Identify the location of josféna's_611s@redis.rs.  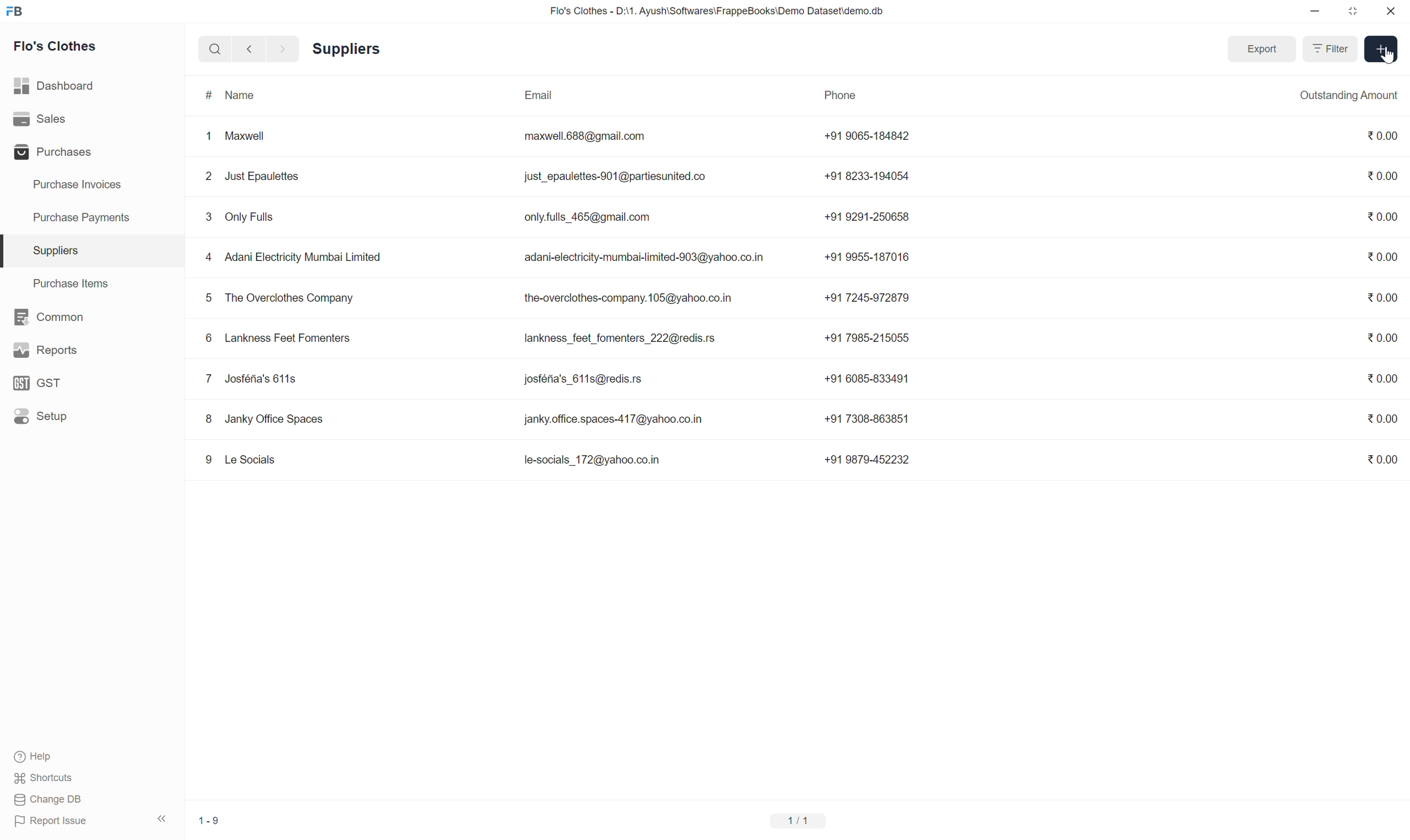
(582, 380).